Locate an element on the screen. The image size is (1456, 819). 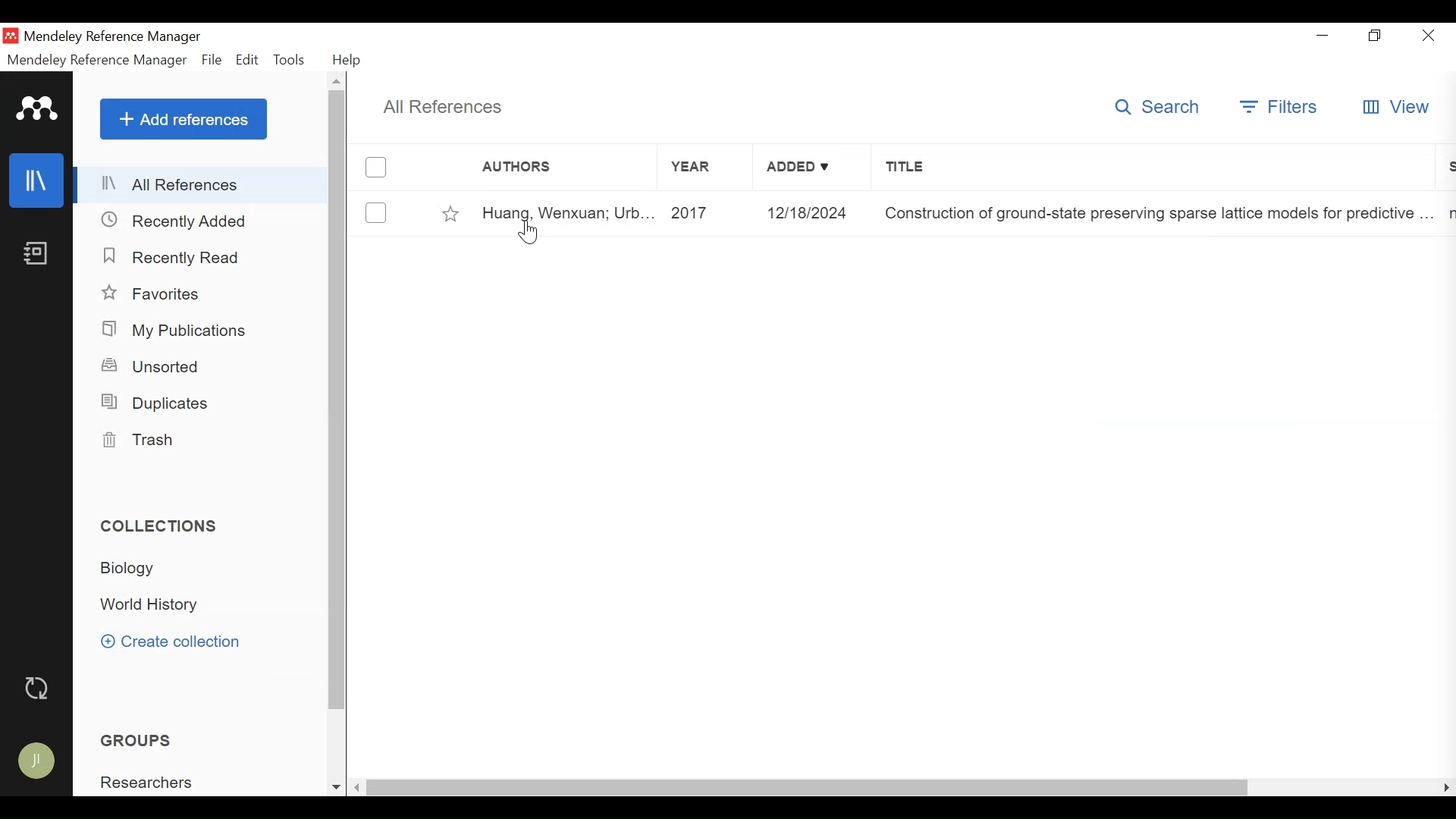
Collection is located at coordinates (154, 606).